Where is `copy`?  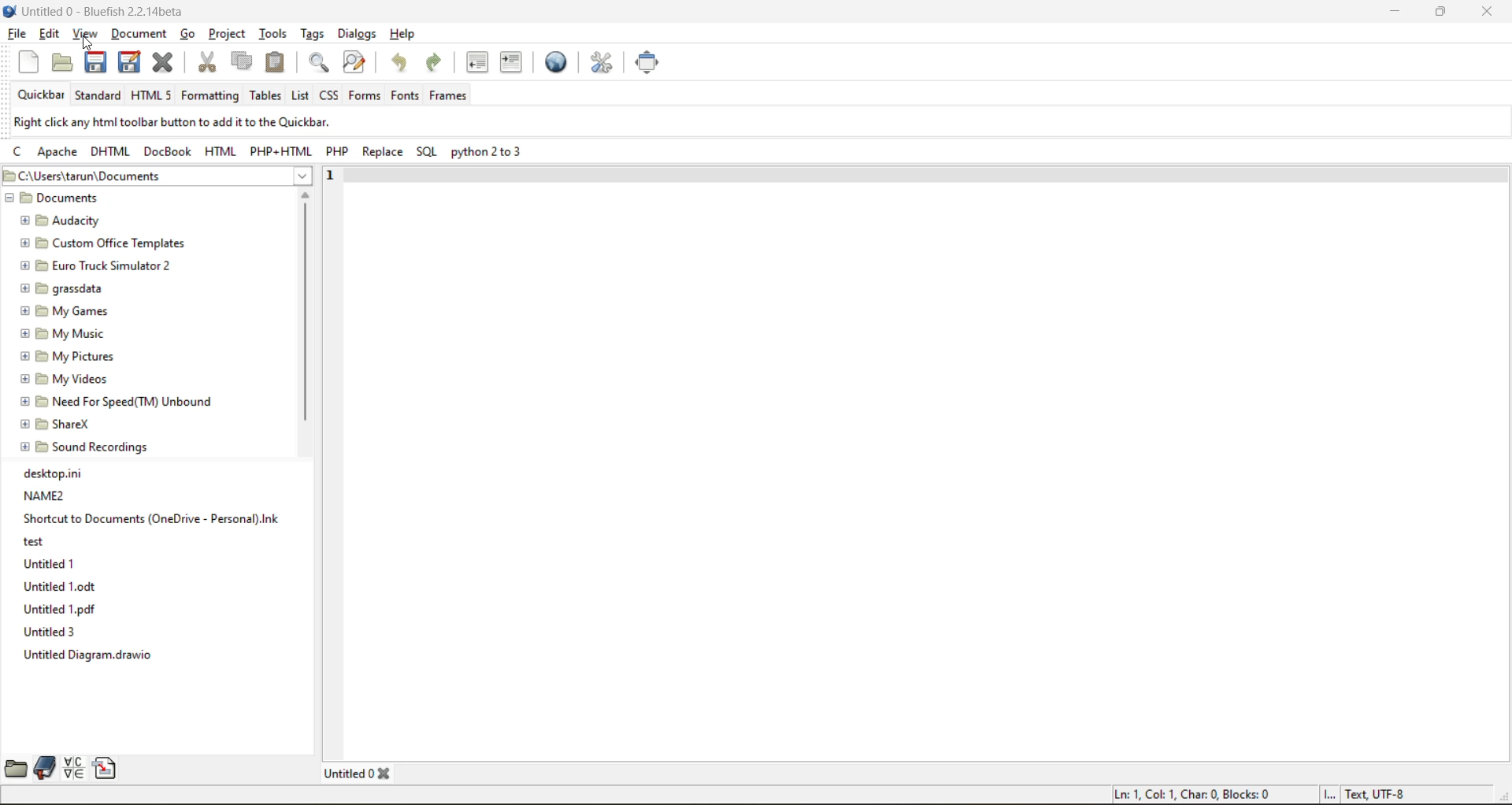 copy is located at coordinates (240, 62).